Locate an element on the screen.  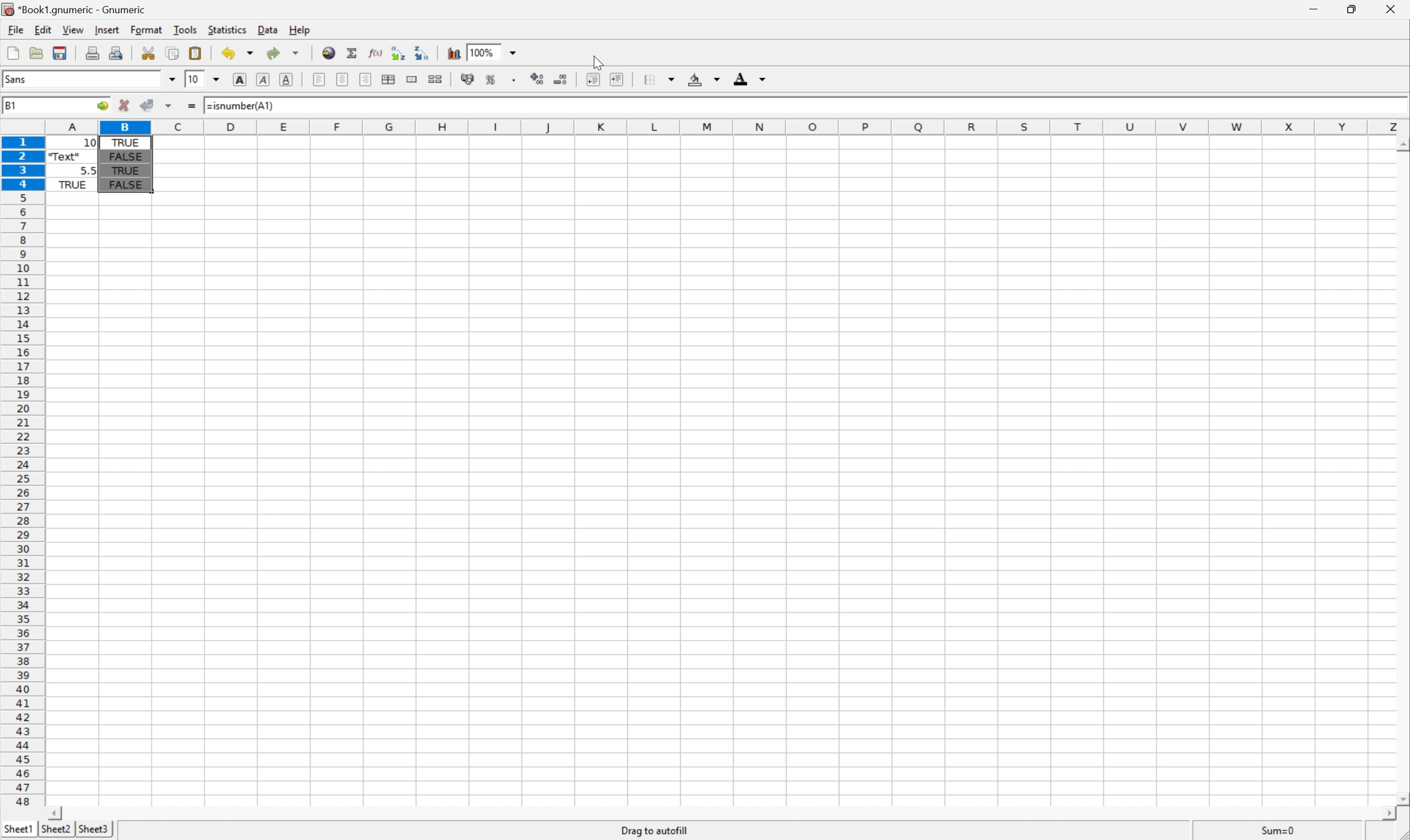
TRUE is located at coordinates (129, 170).